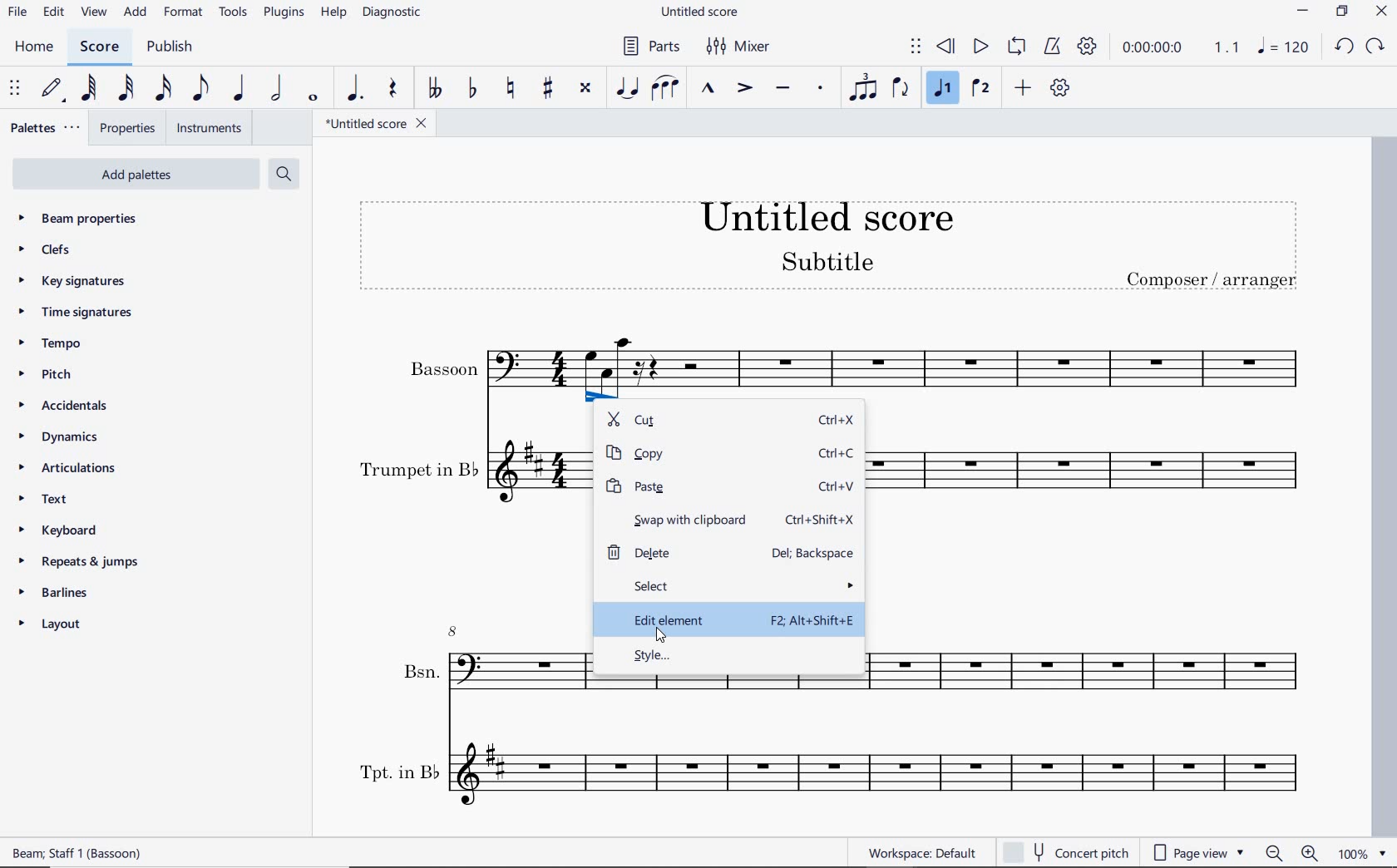 The width and height of the screenshot is (1397, 868). I want to click on tuplet, so click(864, 86).